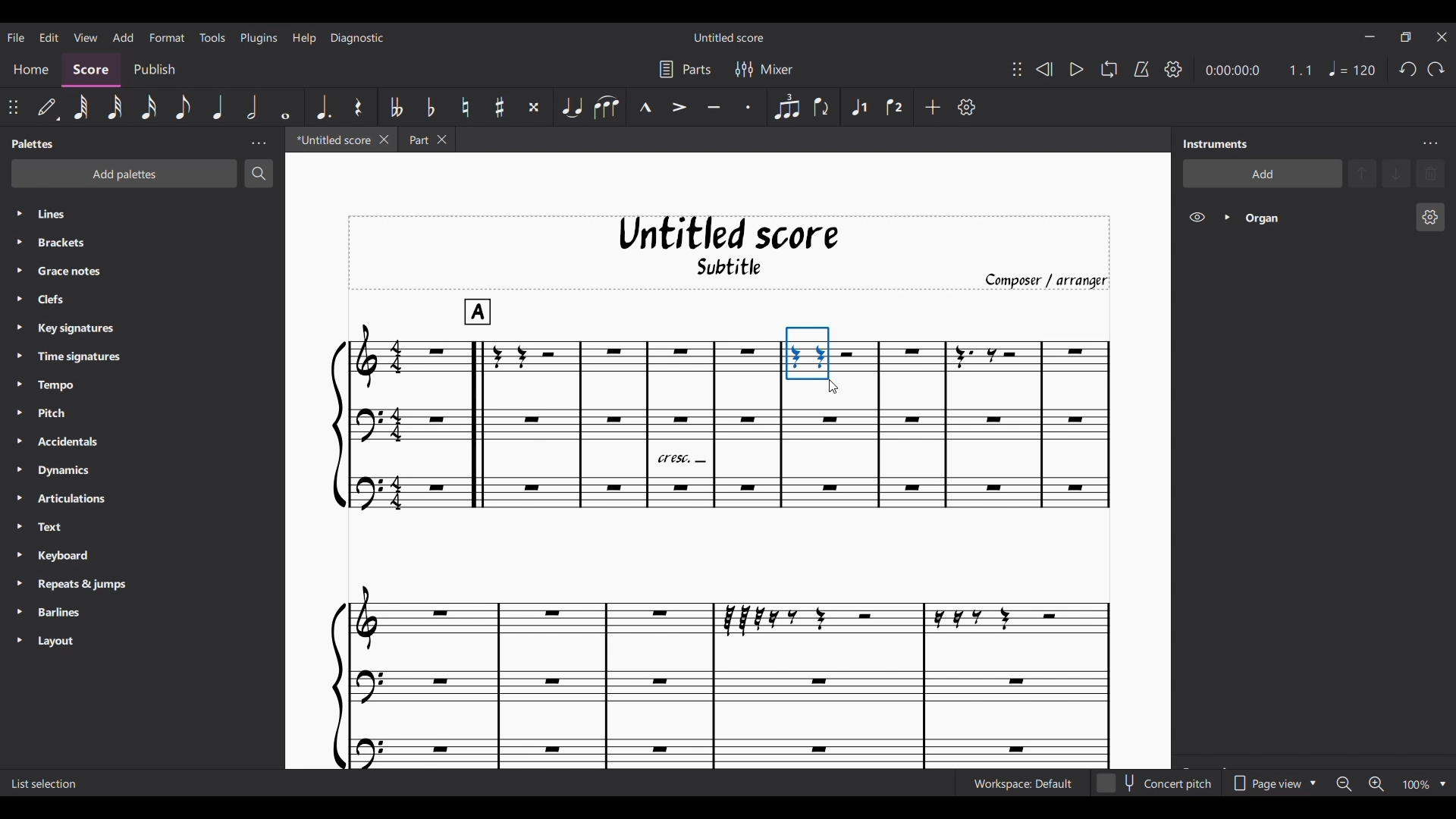  I want to click on Change position of toolbar attached, so click(14, 108).